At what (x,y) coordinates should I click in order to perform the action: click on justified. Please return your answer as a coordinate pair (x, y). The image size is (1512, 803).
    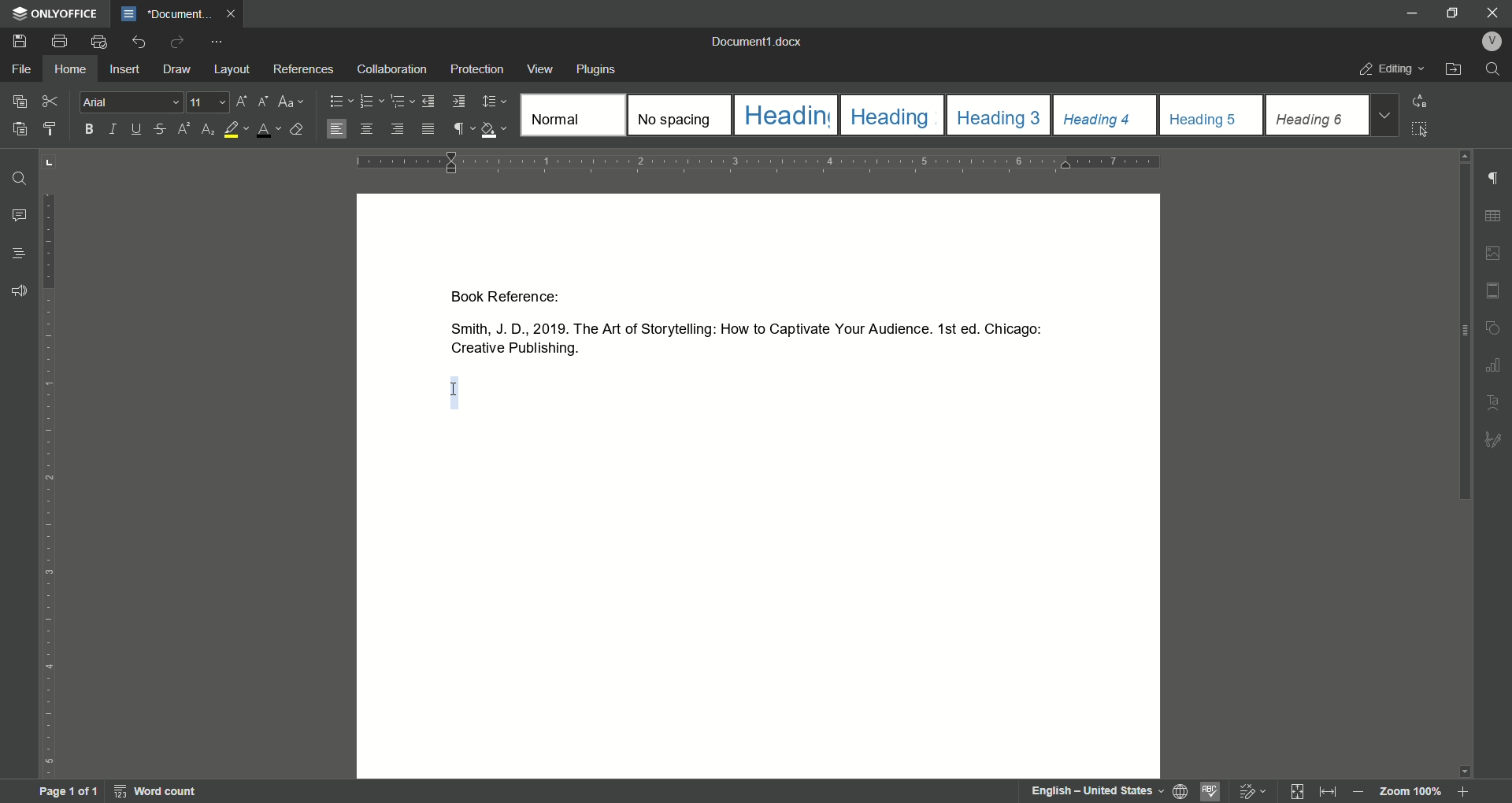
    Looking at the image, I should click on (428, 129).